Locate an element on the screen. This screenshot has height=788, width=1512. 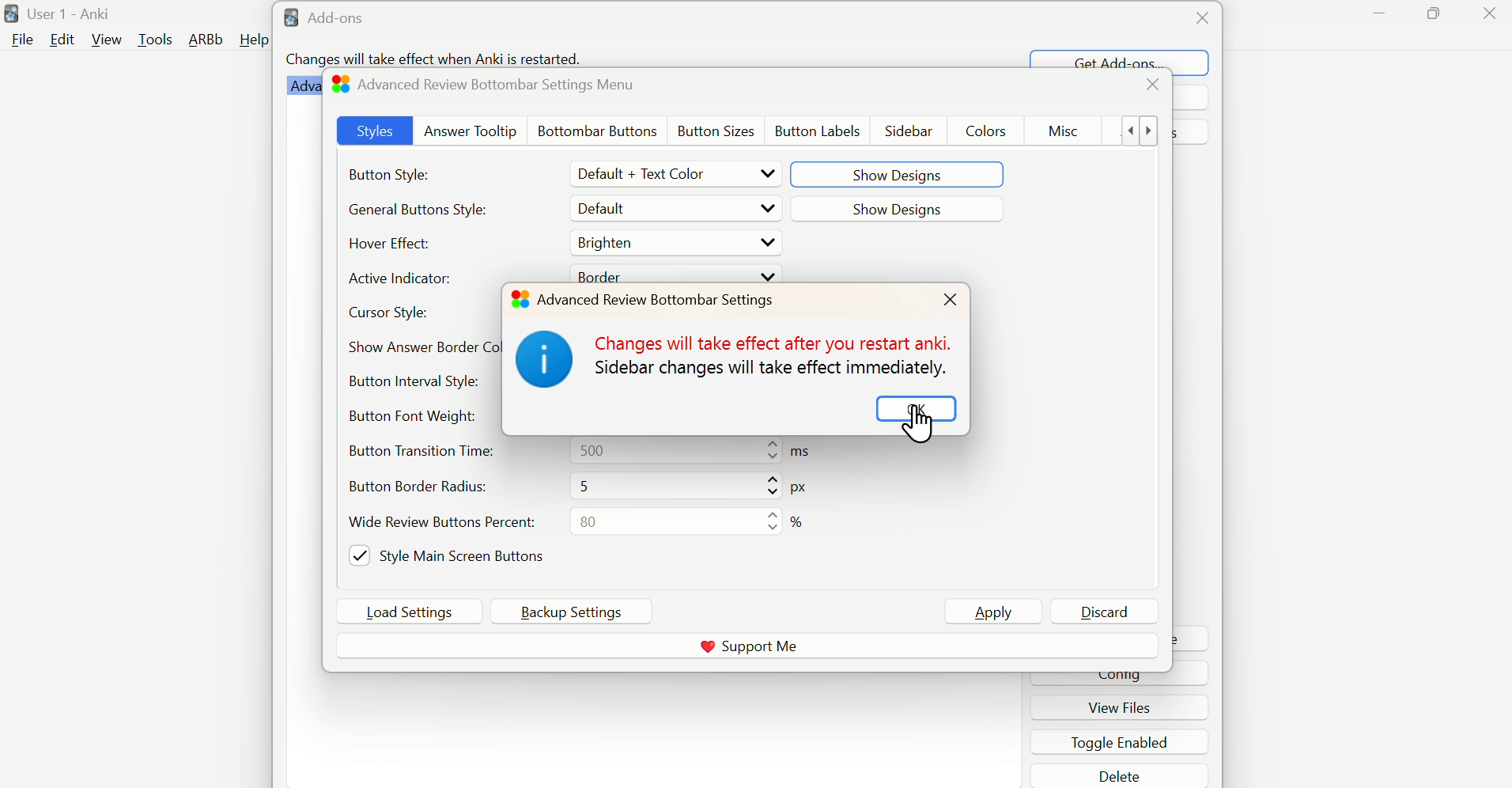
Tools is located at coordinates (157, 40).